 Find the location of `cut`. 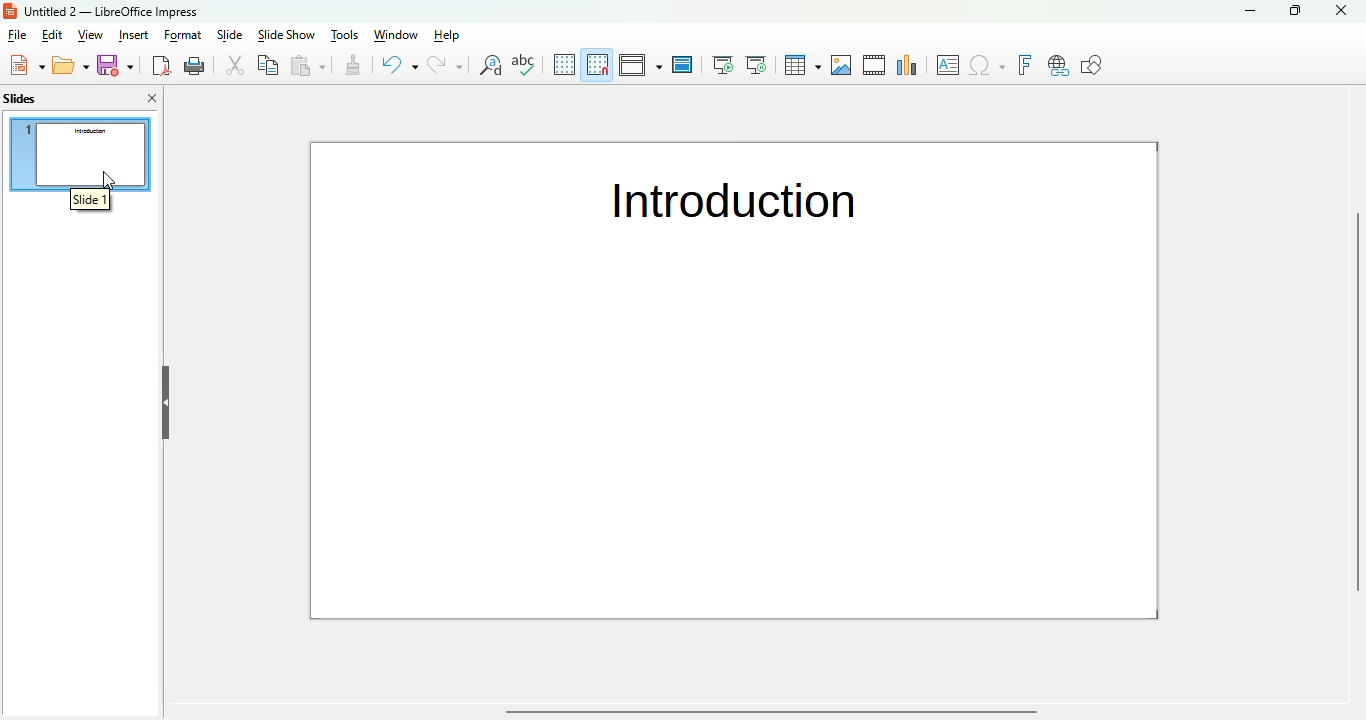

cut is located at coordinates (235, 65).